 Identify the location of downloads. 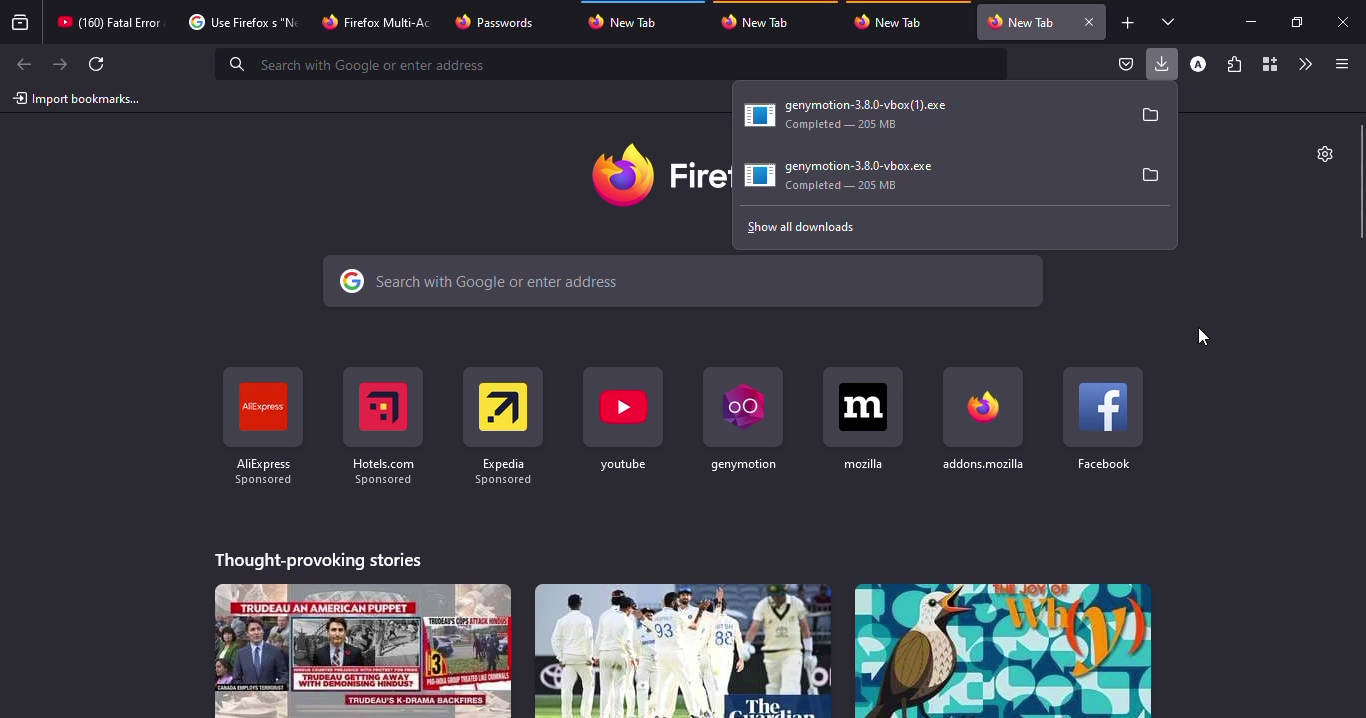
(1163, 63).